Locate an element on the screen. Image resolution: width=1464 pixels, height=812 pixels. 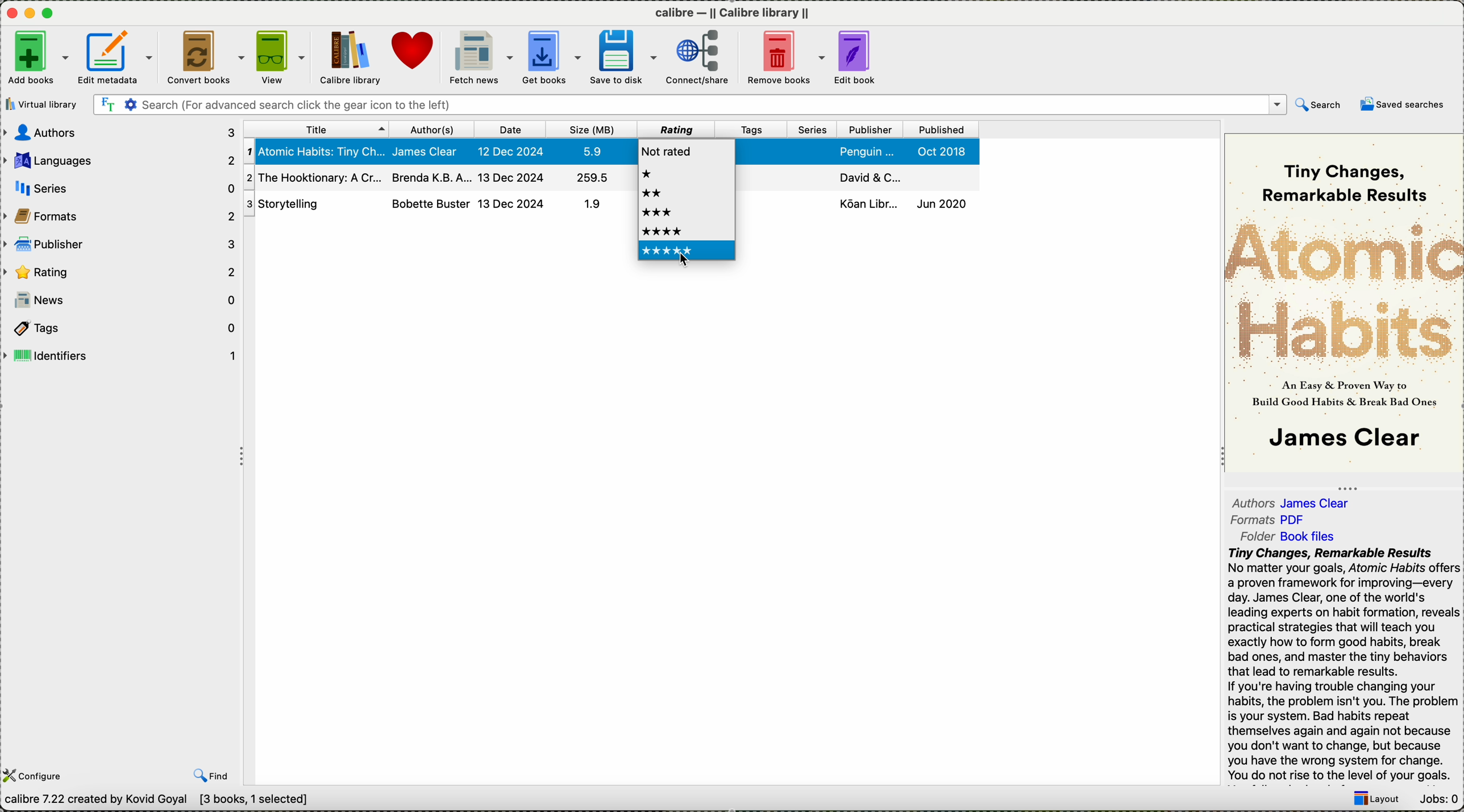
13 dec 2024 is located at coordinates (511, 176).